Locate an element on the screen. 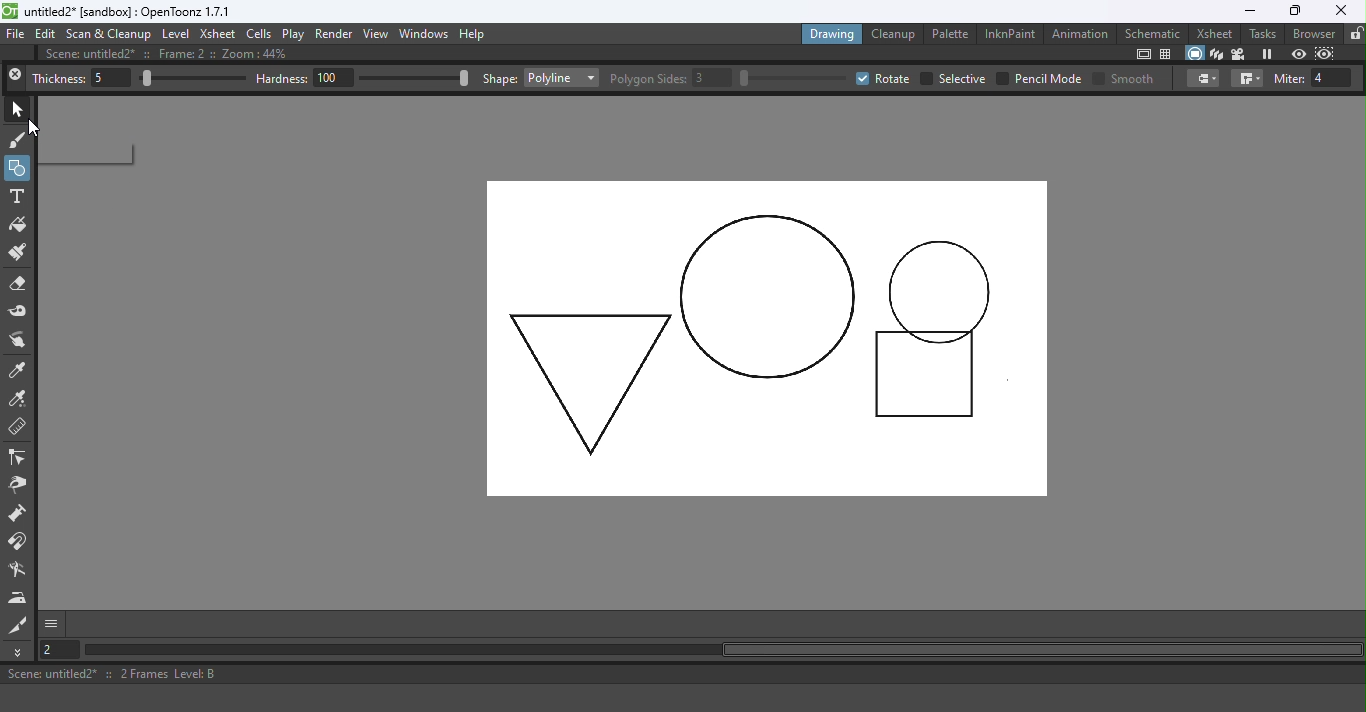 This screenshot has height=712, width=1366. Join is located at coordinates (1246, 79).